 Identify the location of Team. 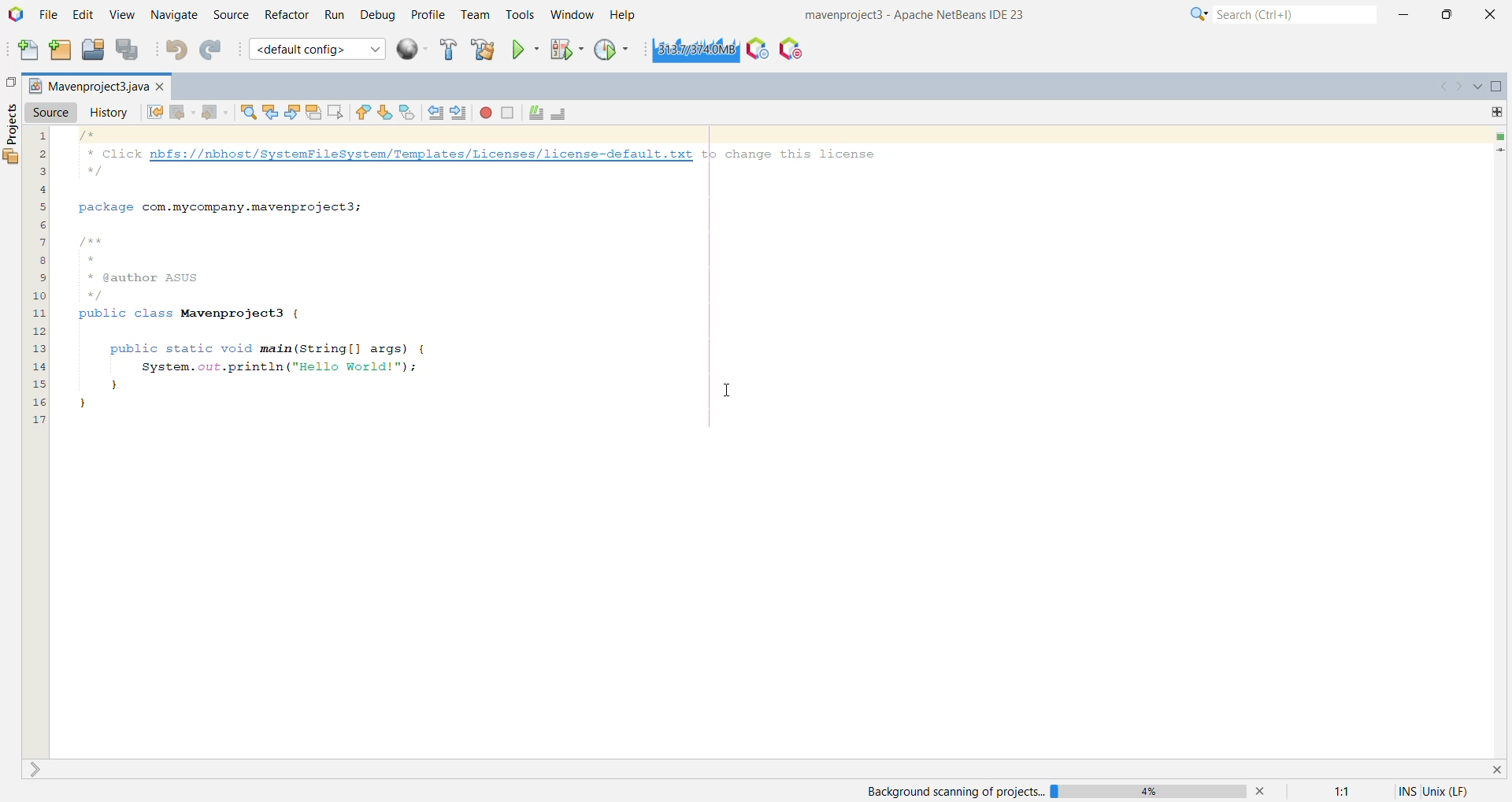
(475, 16).